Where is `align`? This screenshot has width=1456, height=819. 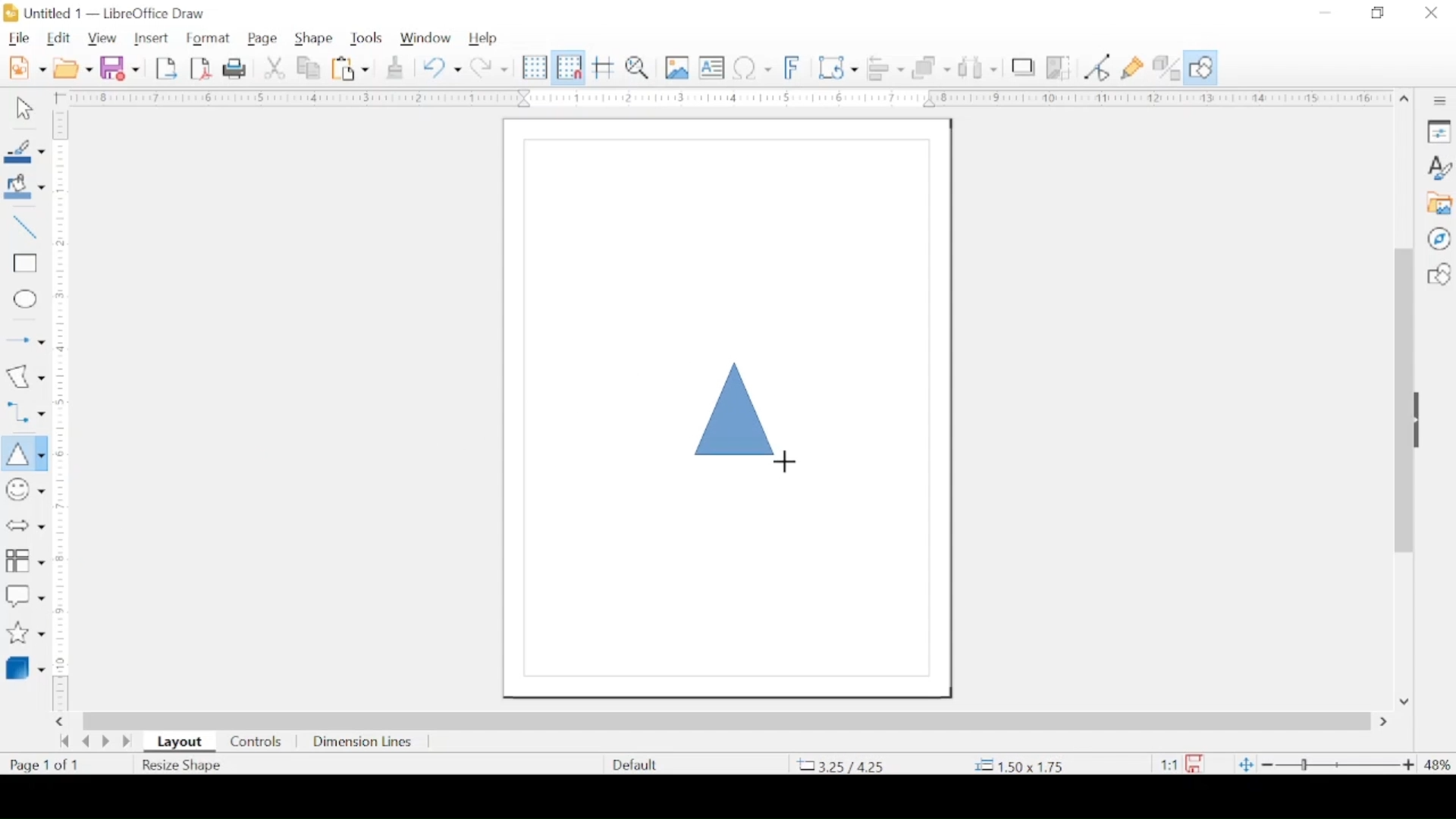 align is located at coordinates (887, 67).